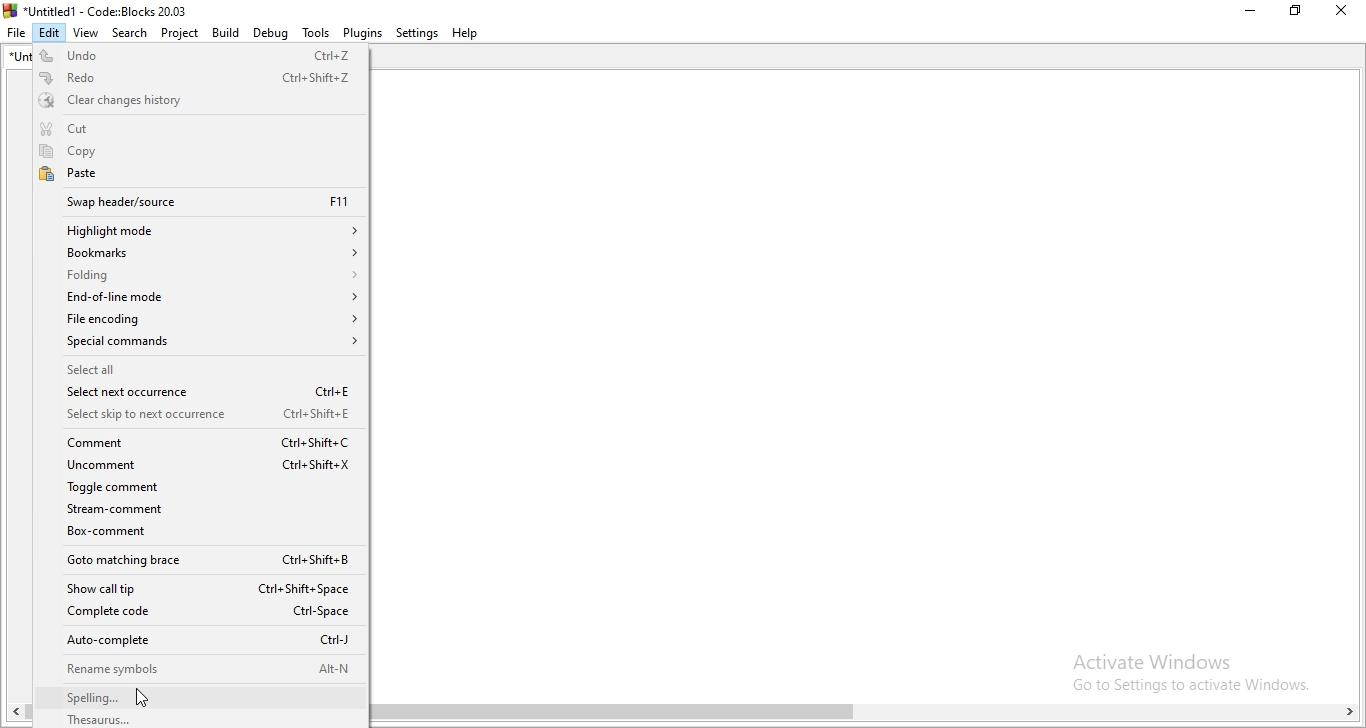  I want to click on spelling, so click(203, 695).